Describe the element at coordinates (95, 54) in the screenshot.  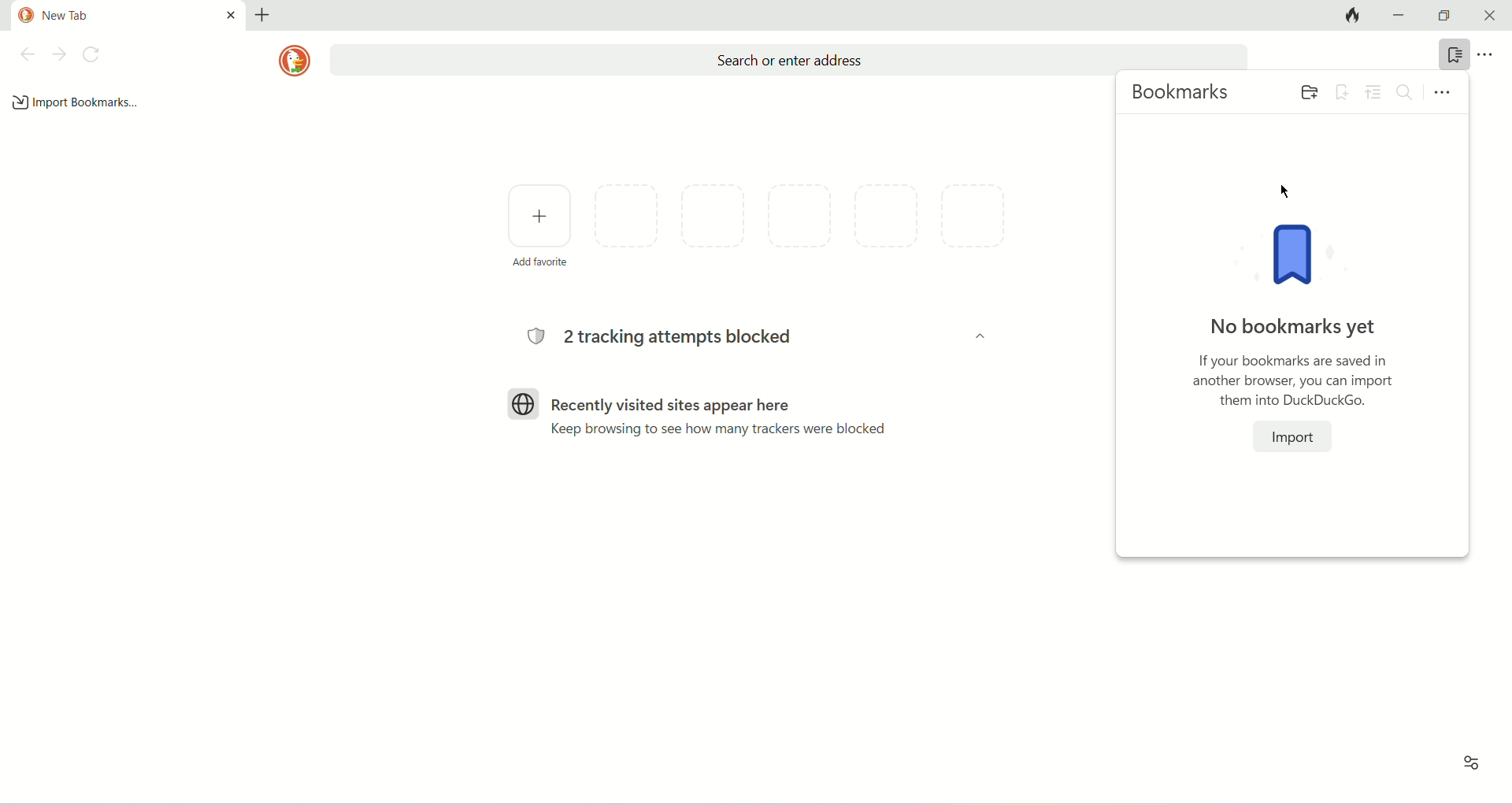
I see `refresh` at that location.